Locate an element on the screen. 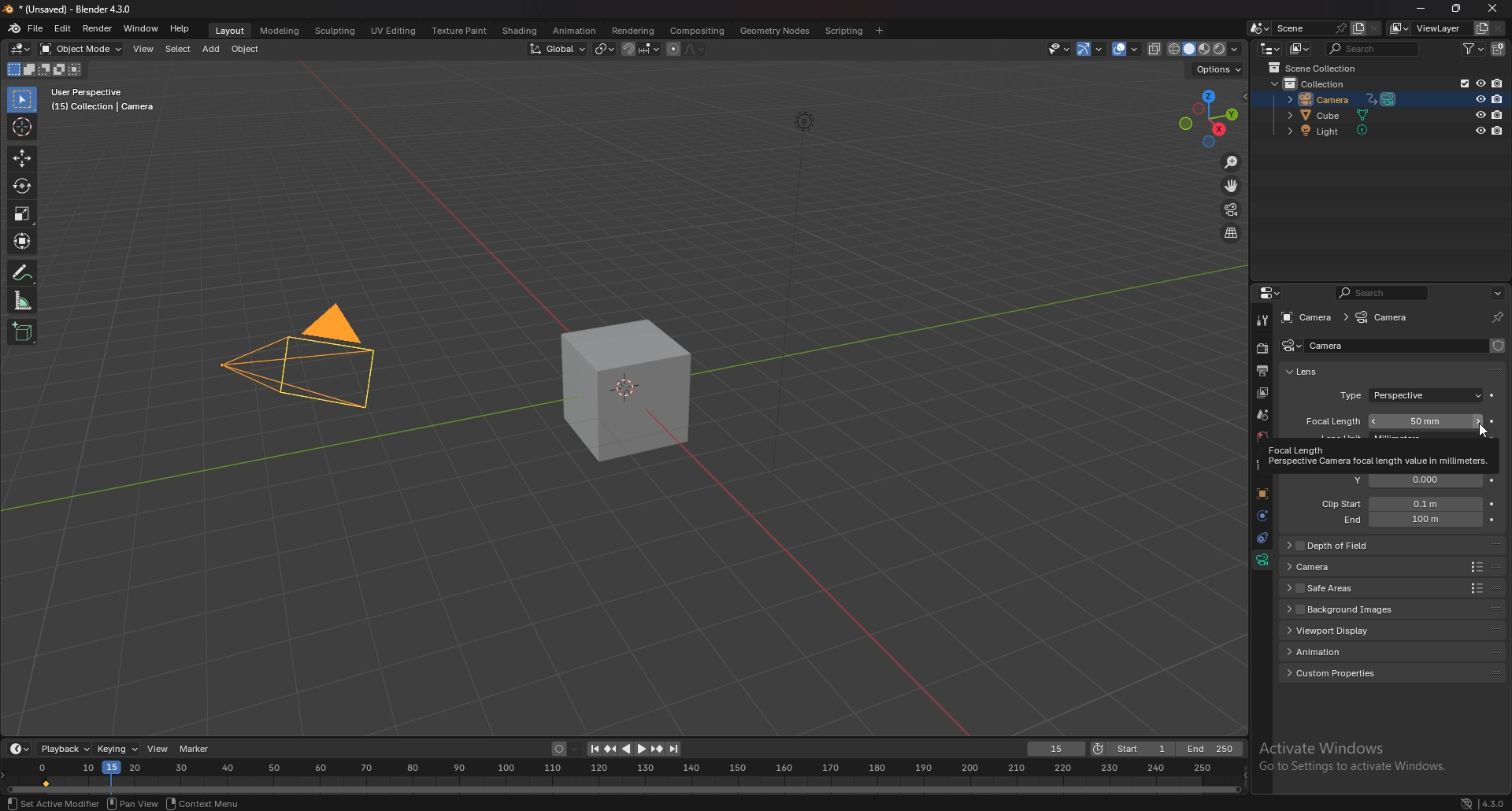  cursor is located at coordinates (24, 126).